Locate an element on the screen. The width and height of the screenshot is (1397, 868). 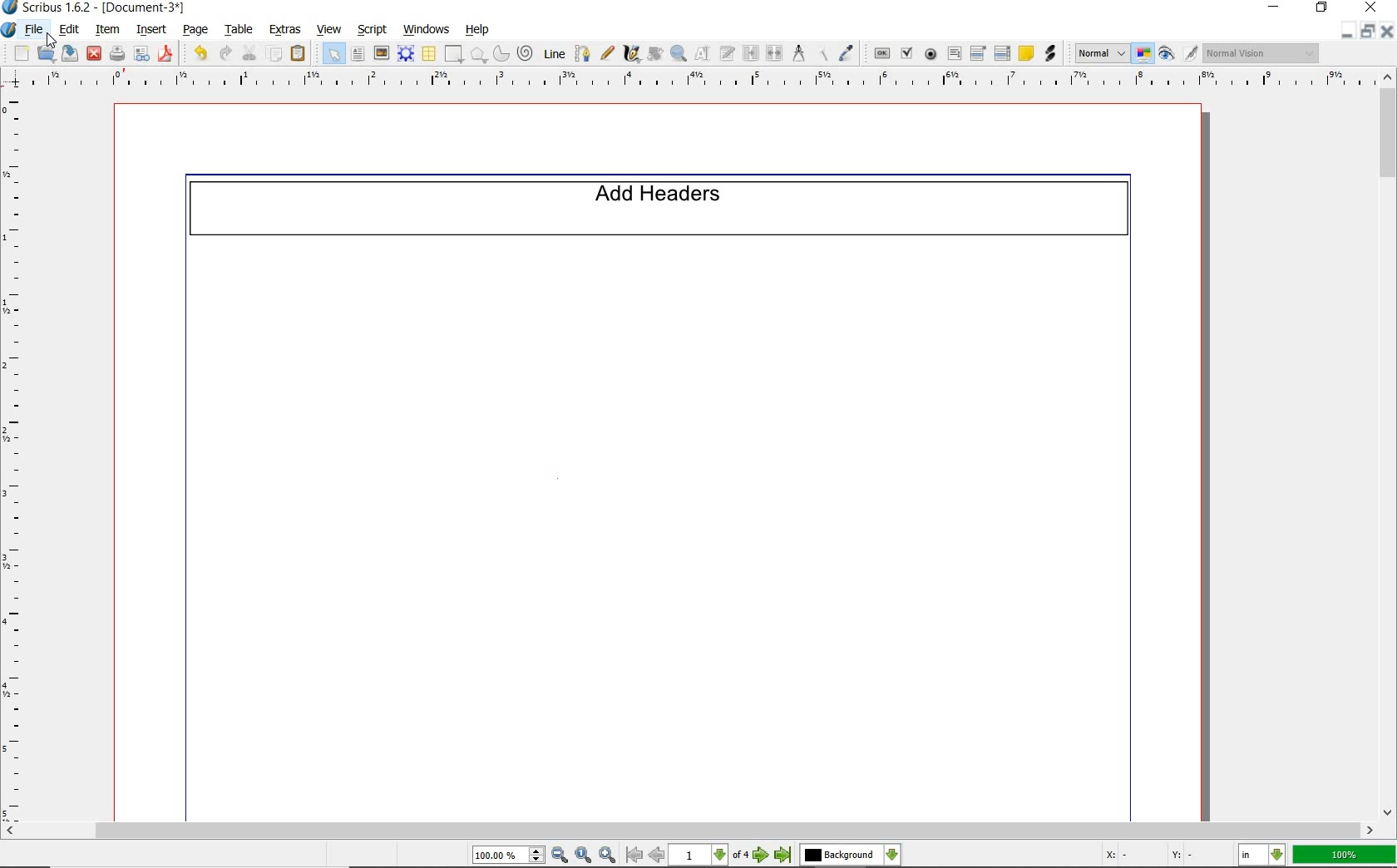
scrollbar is located at coordinates (1389, 444).